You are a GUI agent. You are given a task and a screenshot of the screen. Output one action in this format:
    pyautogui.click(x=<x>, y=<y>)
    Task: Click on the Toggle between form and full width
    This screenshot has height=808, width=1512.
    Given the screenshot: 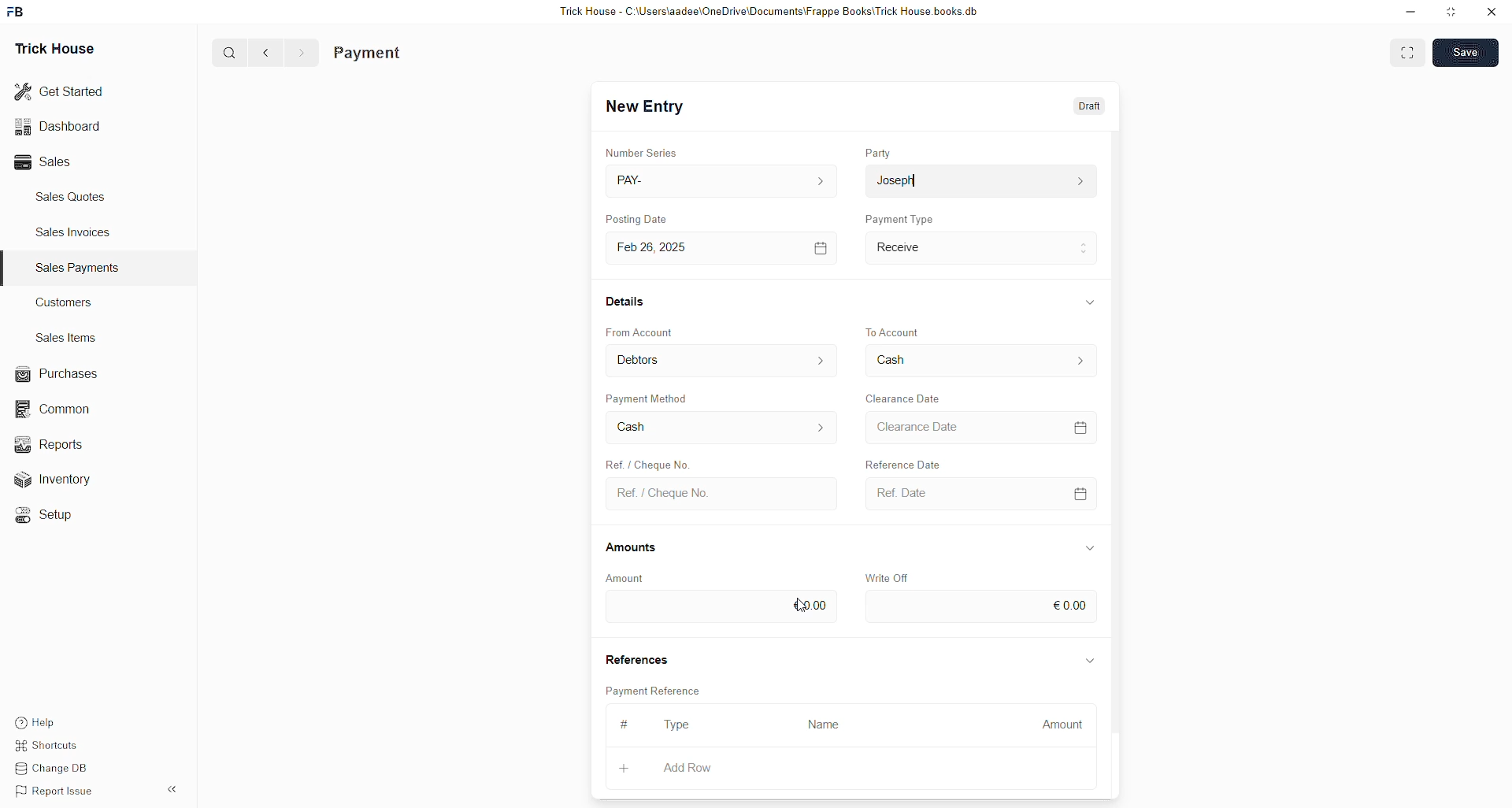 What is the action you would take?
    pyautogui.click(x=1407, y=55)
    